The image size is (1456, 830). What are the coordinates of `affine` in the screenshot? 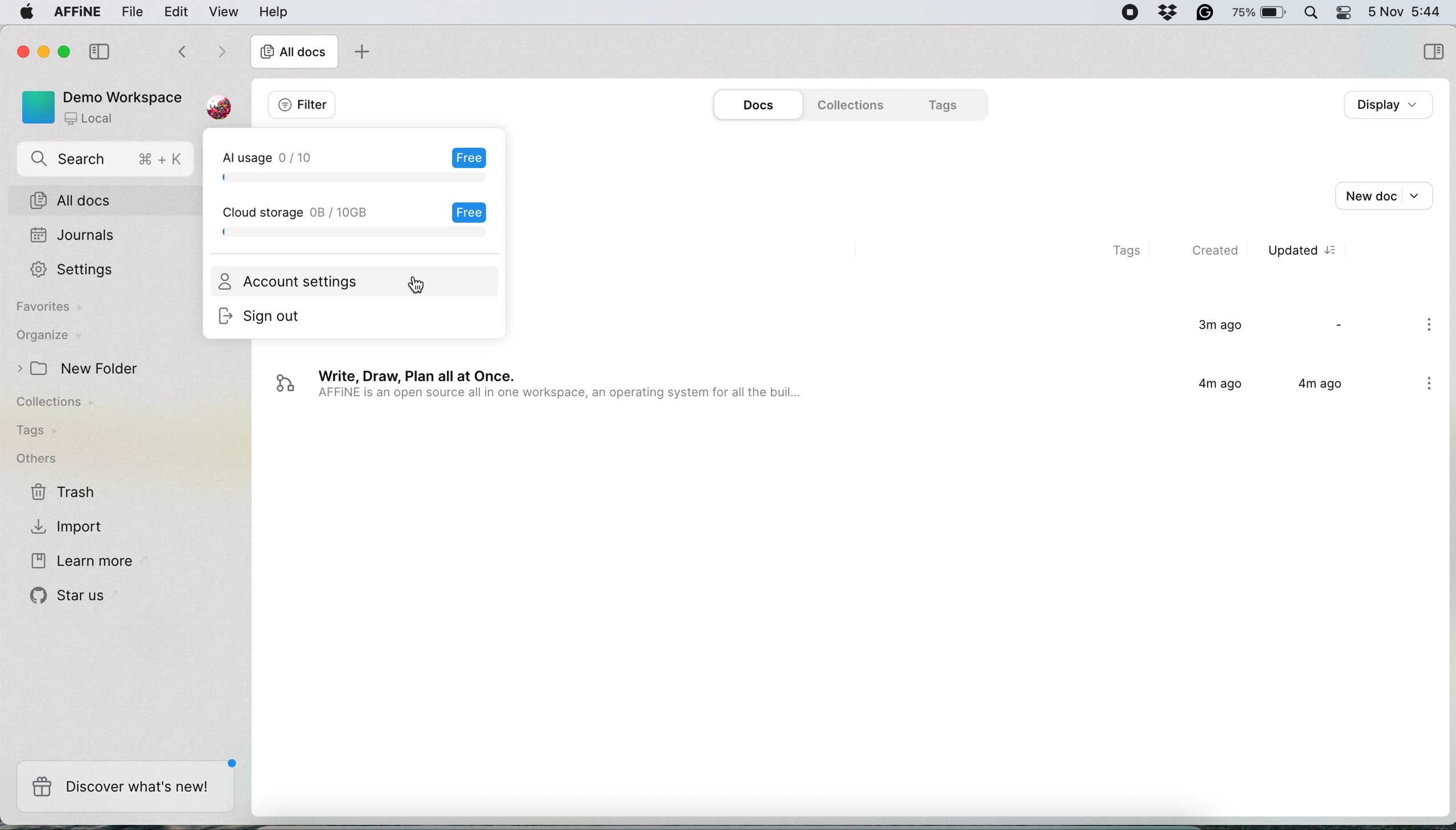 It's located at (75, 14).